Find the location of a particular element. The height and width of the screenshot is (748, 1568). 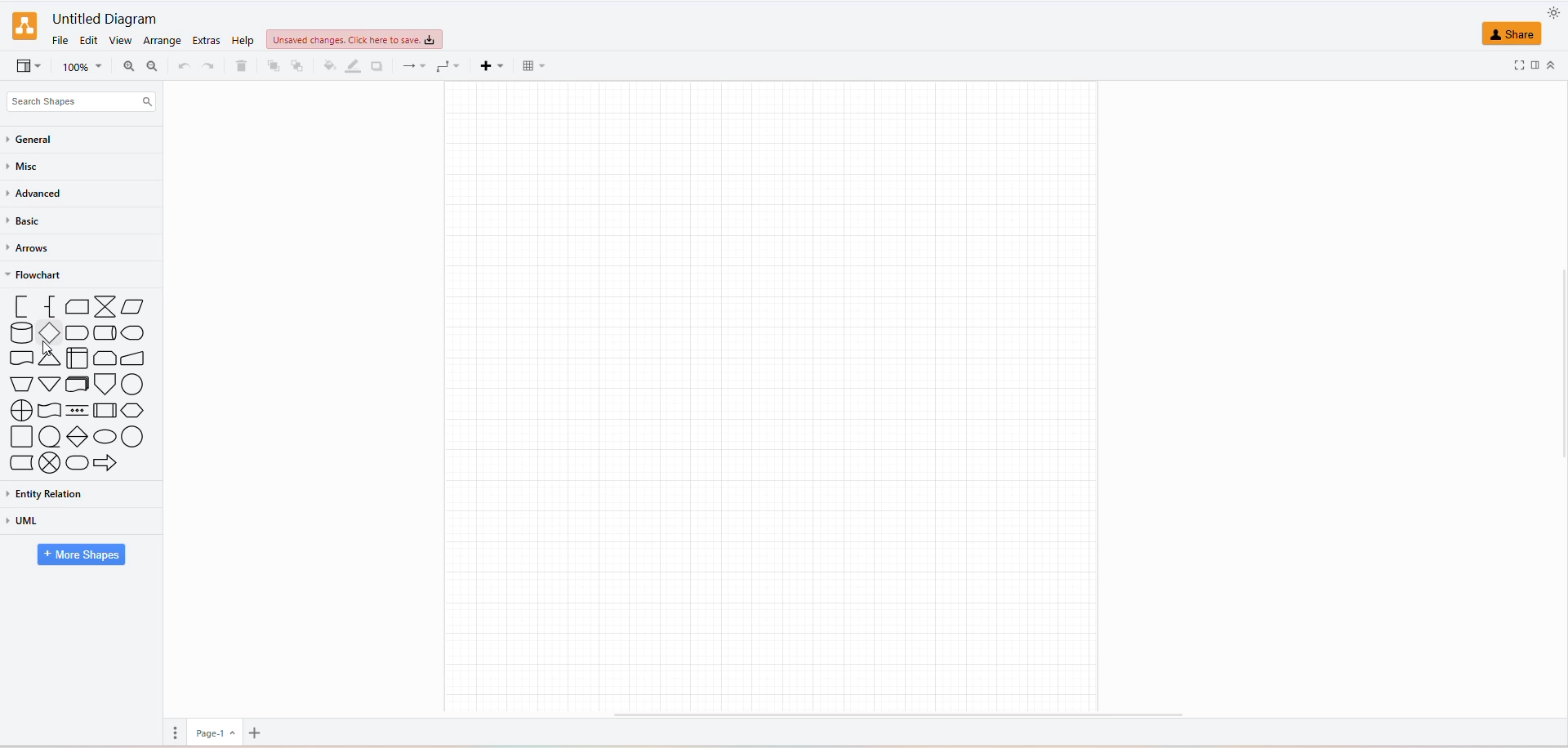

ENTITY RELATION is located at coordinates (69, 494).